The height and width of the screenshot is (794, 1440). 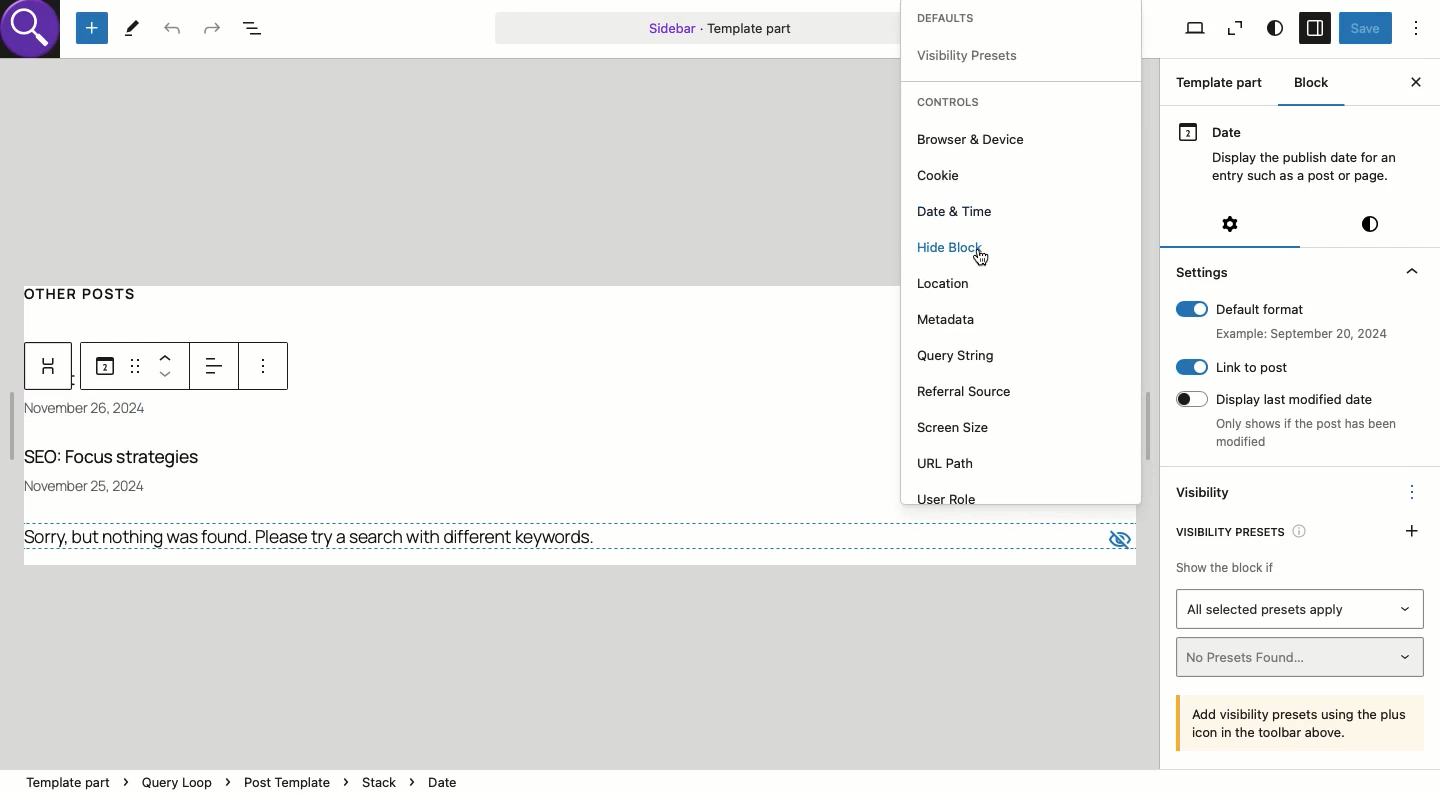 I want to click on Settings, so click(x=1205, y=271).